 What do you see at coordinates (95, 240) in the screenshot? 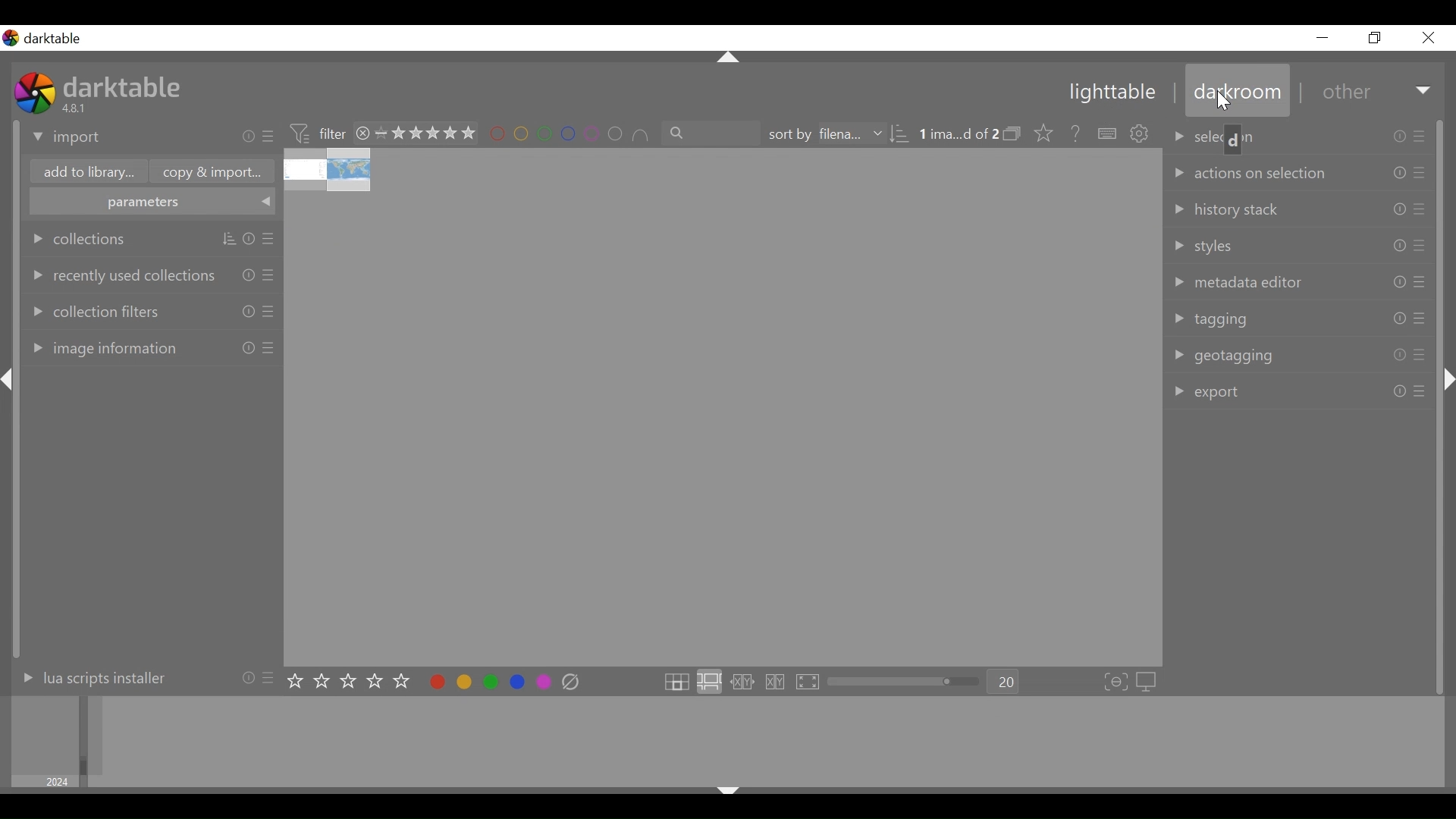
I see `collections` at bounding box center [95, 240].